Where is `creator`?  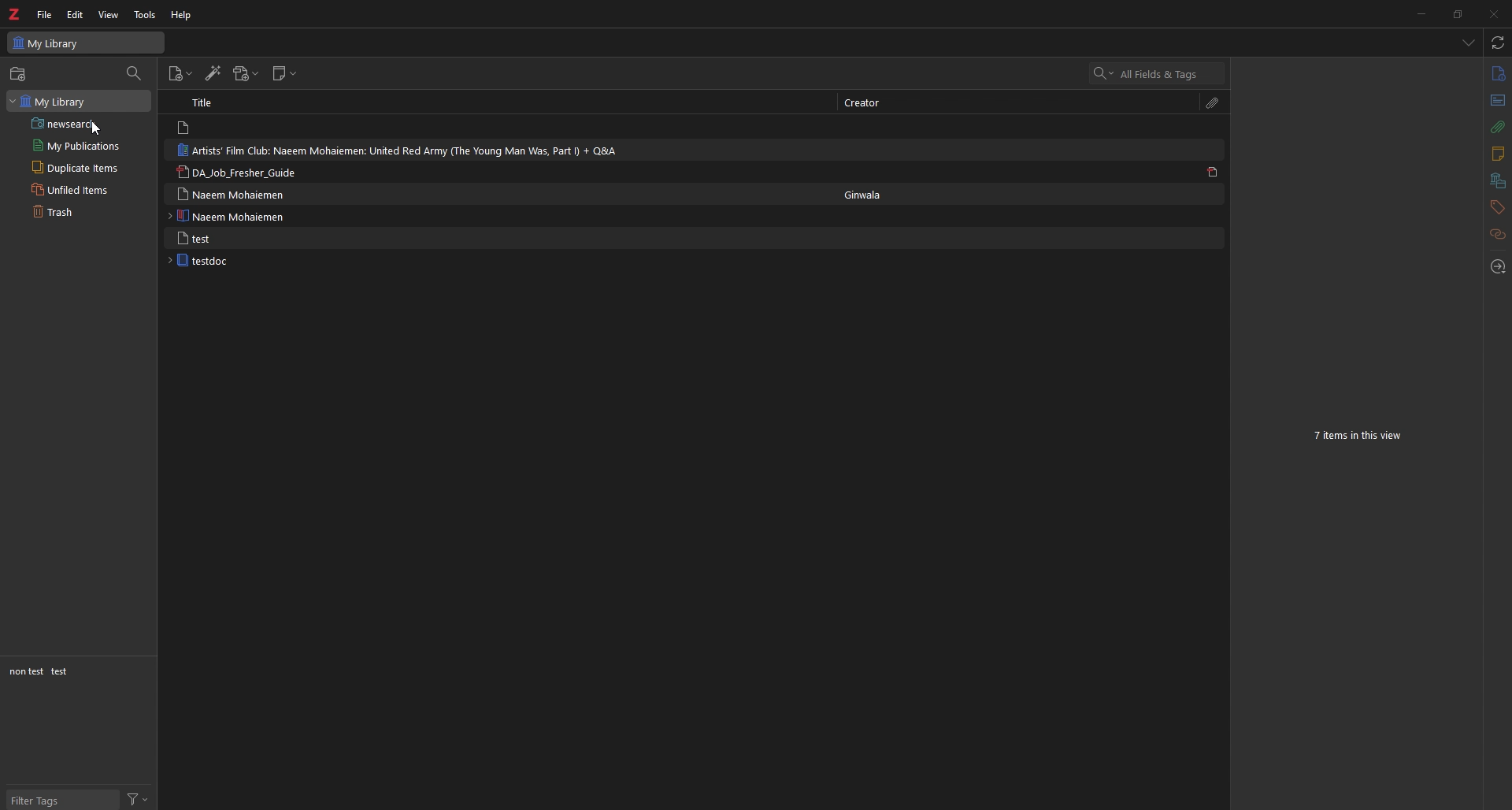 creator is located at coordinates (864, 104).